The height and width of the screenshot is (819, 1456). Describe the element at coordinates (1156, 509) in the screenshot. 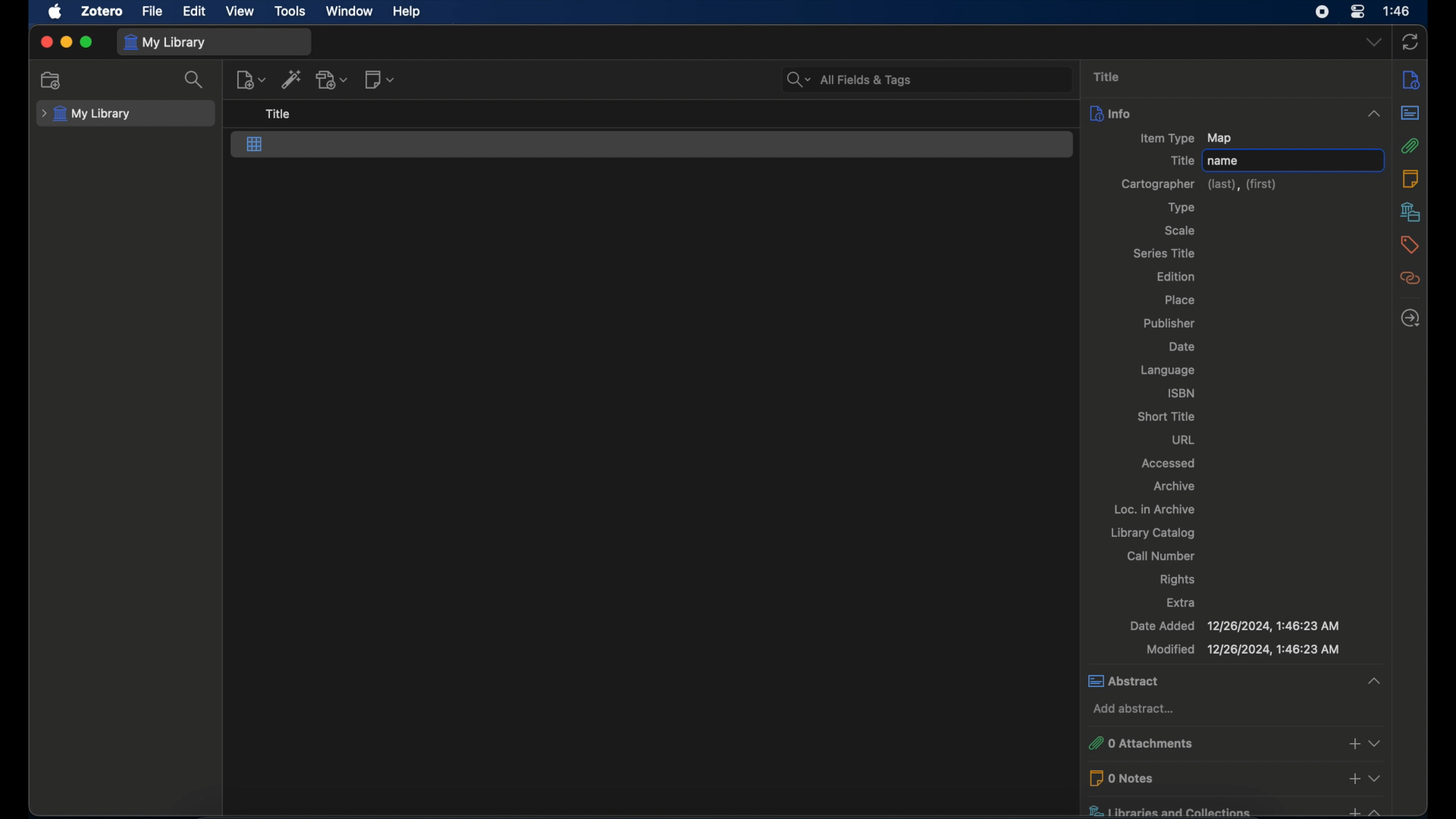

I see `loc. in archive` at that location.